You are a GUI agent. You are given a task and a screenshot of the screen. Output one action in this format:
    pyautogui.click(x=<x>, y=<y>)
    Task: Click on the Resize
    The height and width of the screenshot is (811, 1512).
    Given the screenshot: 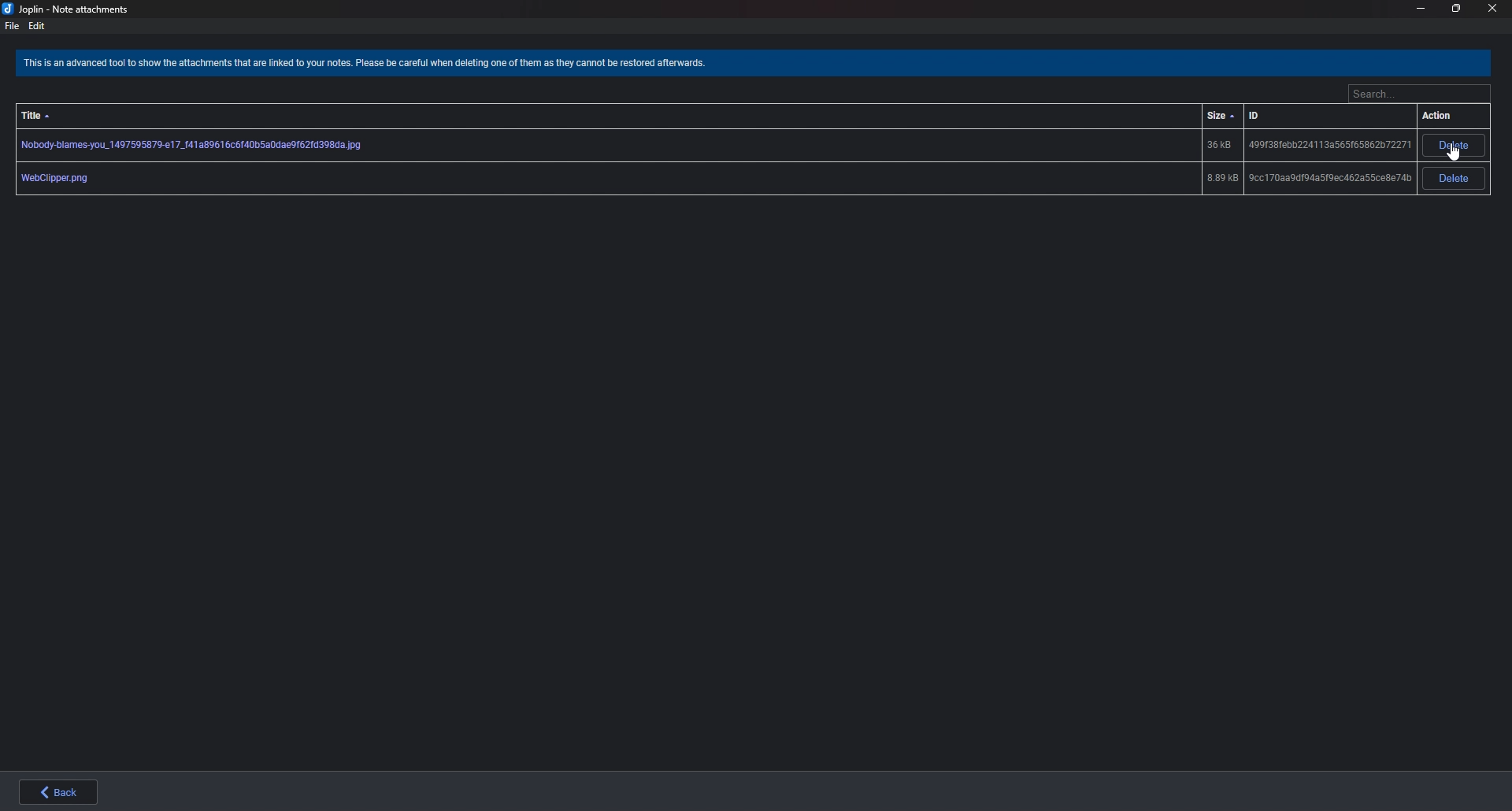 What is the action you would take?
    pyautogui.click(x=1458, y=9)
    